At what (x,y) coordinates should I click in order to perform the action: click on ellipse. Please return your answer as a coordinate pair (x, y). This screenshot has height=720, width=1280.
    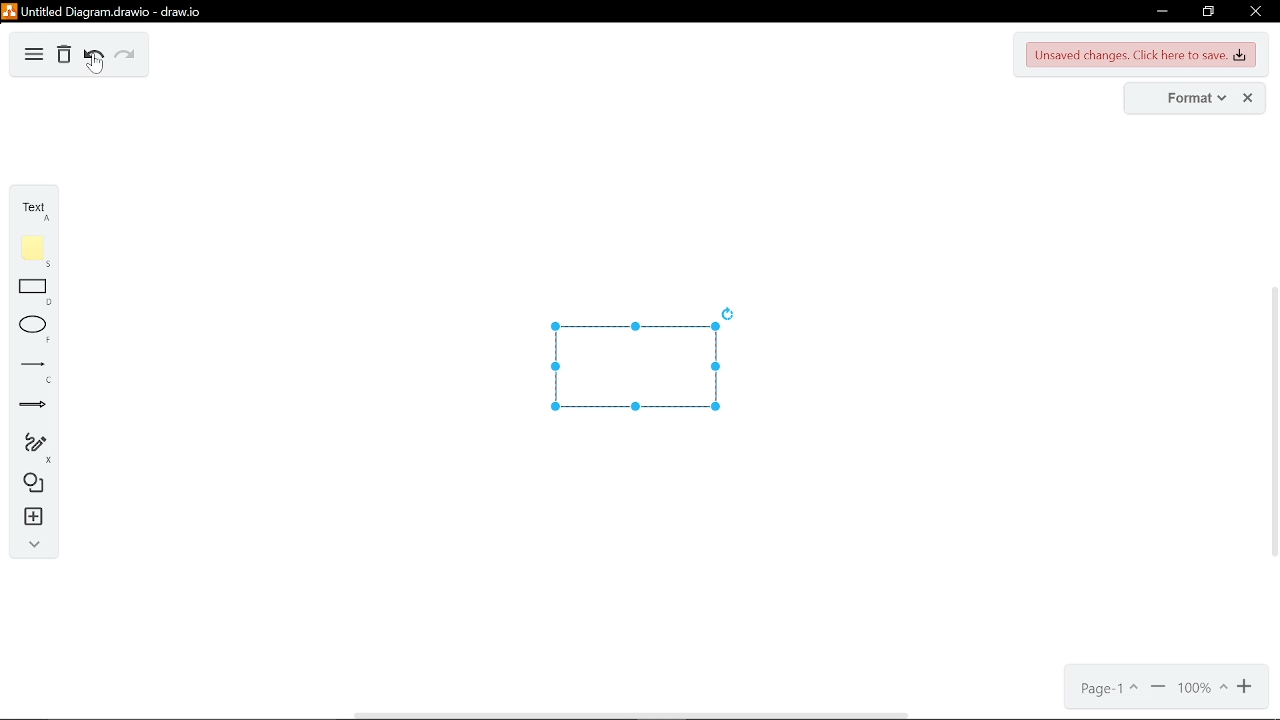
    Looking at the image, I should click on (37, 331).